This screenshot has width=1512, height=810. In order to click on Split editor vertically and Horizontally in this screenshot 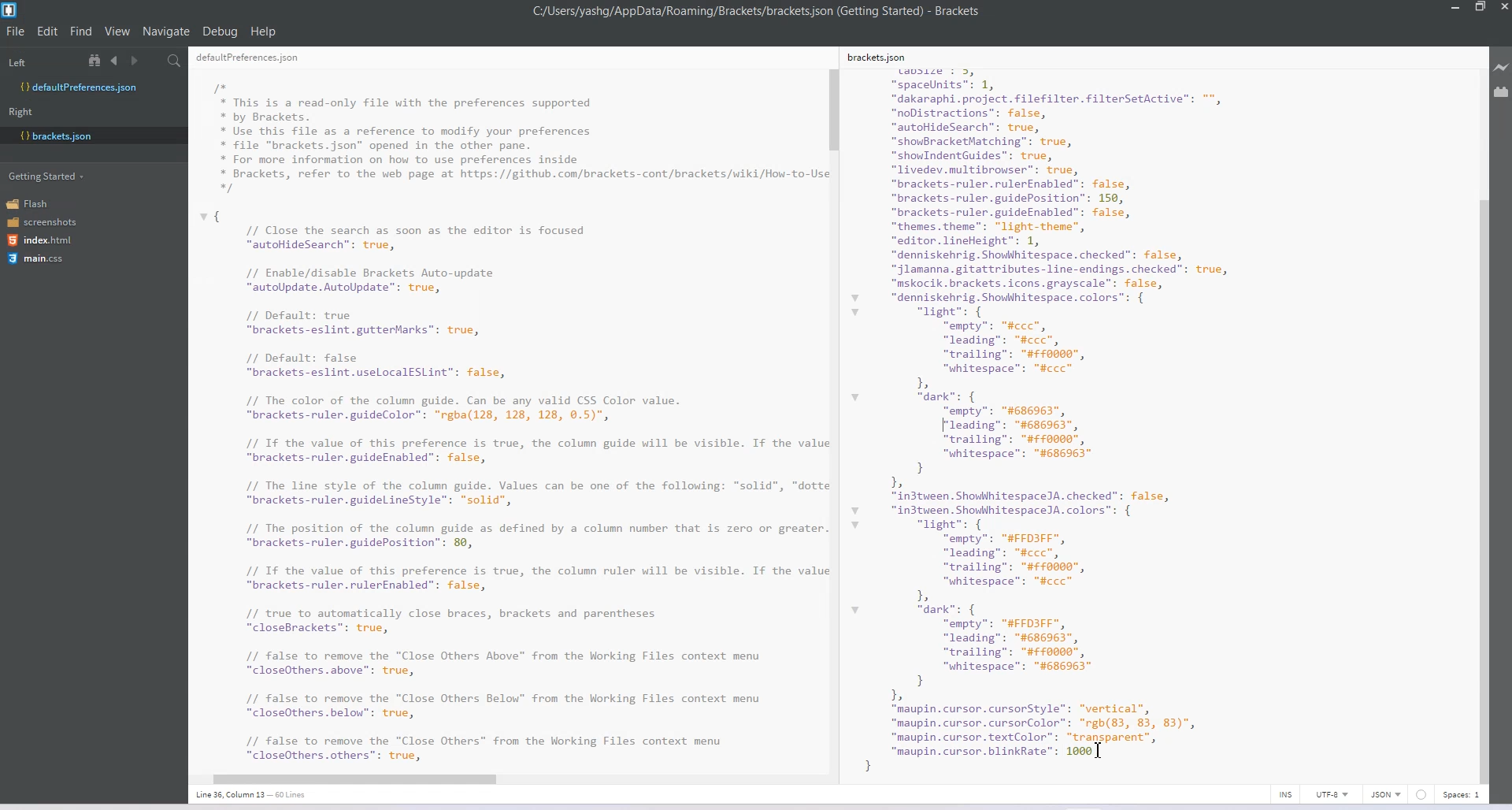, I will do `click(154, 61)`.